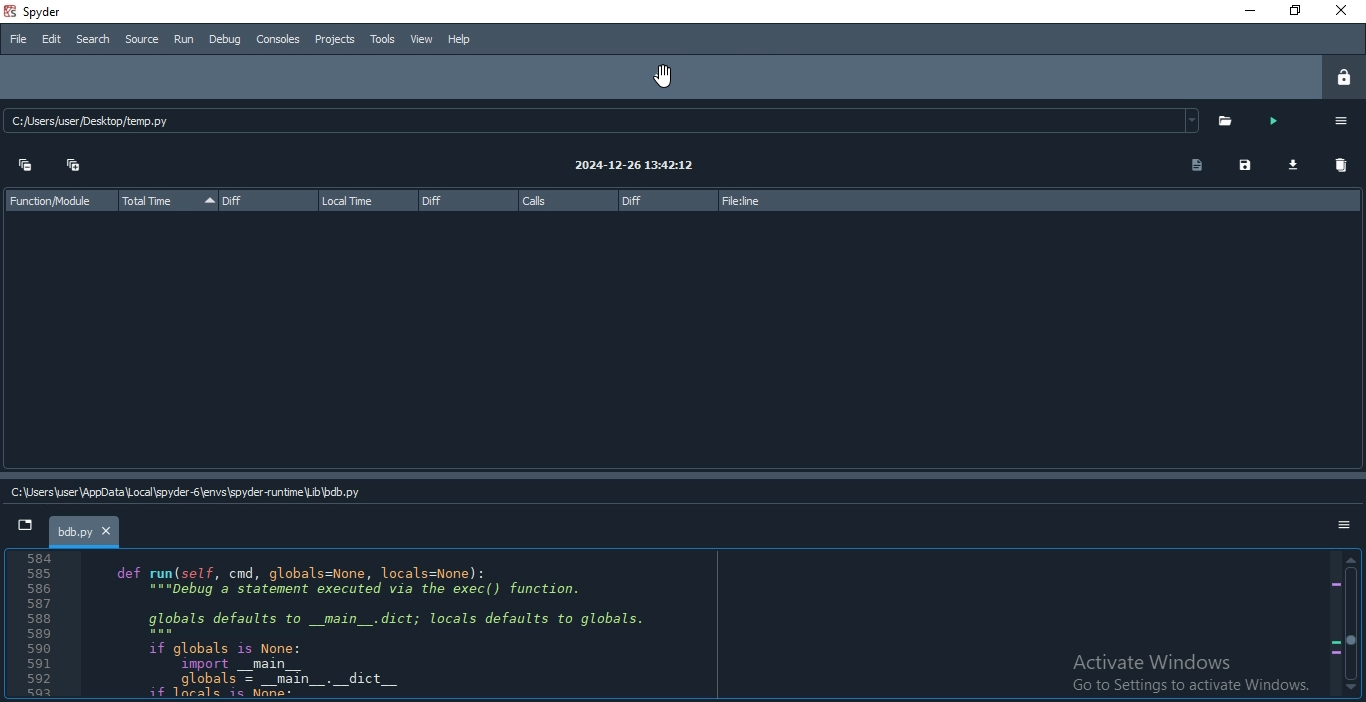 This screenshot has height=702, width=1366. I want to click on C:\User\AppData\Local\spyder-5, so click(187, 490).